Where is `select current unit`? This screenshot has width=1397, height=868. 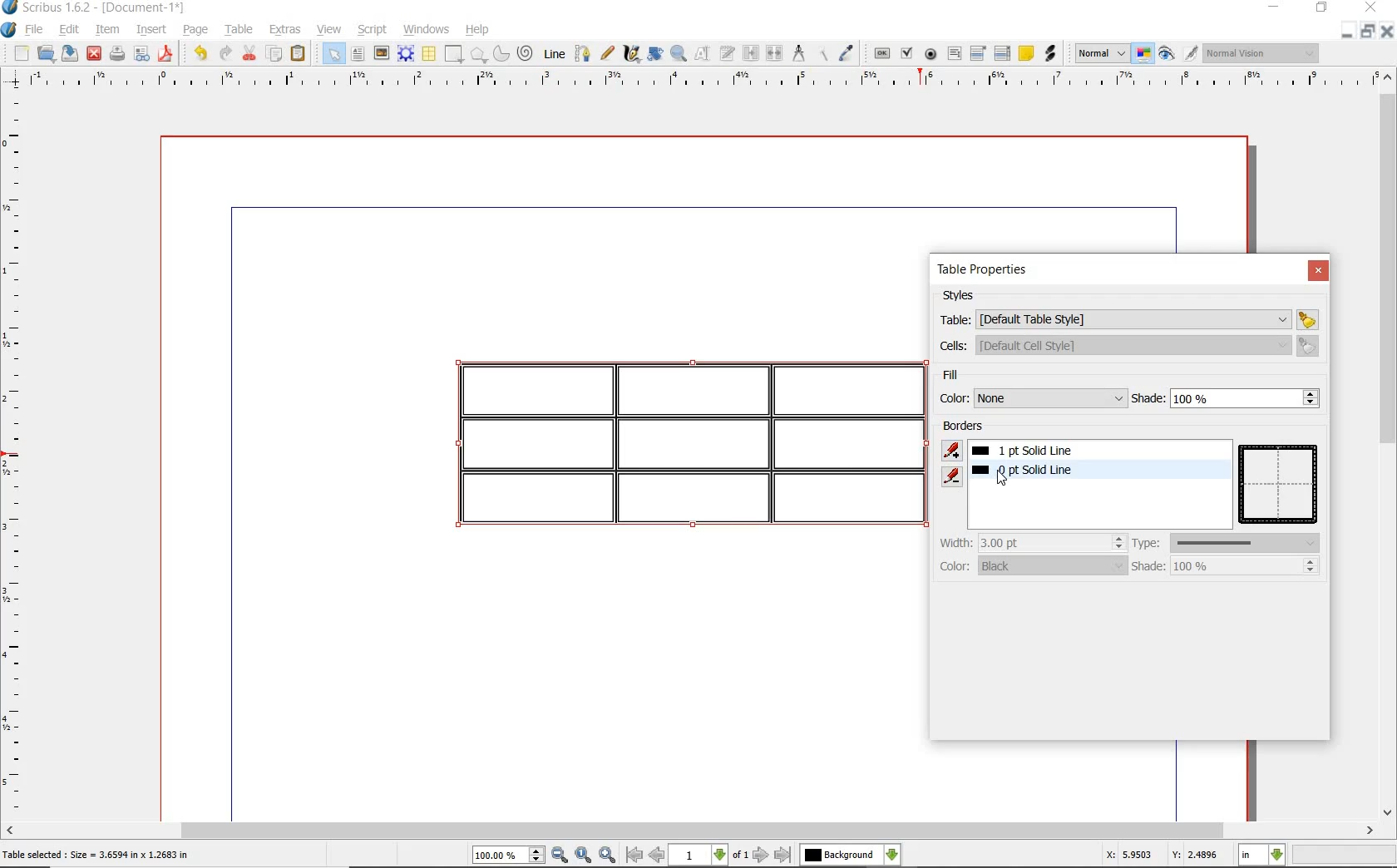 select current unit is located at coordinates (1261, 856).